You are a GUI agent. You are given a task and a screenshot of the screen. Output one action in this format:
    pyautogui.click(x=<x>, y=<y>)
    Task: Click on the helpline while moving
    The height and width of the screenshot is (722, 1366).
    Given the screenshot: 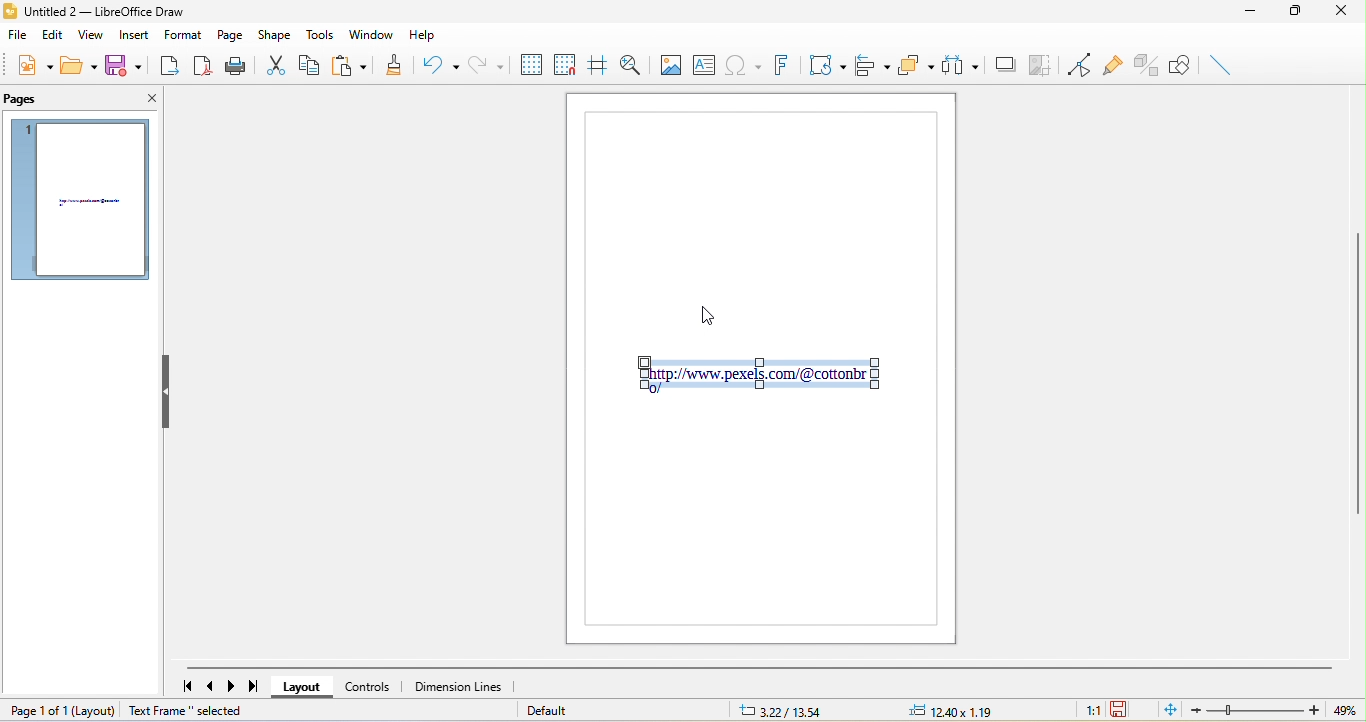 What is the action you would take?
    pyautogui.click(x=595, y=62)
    